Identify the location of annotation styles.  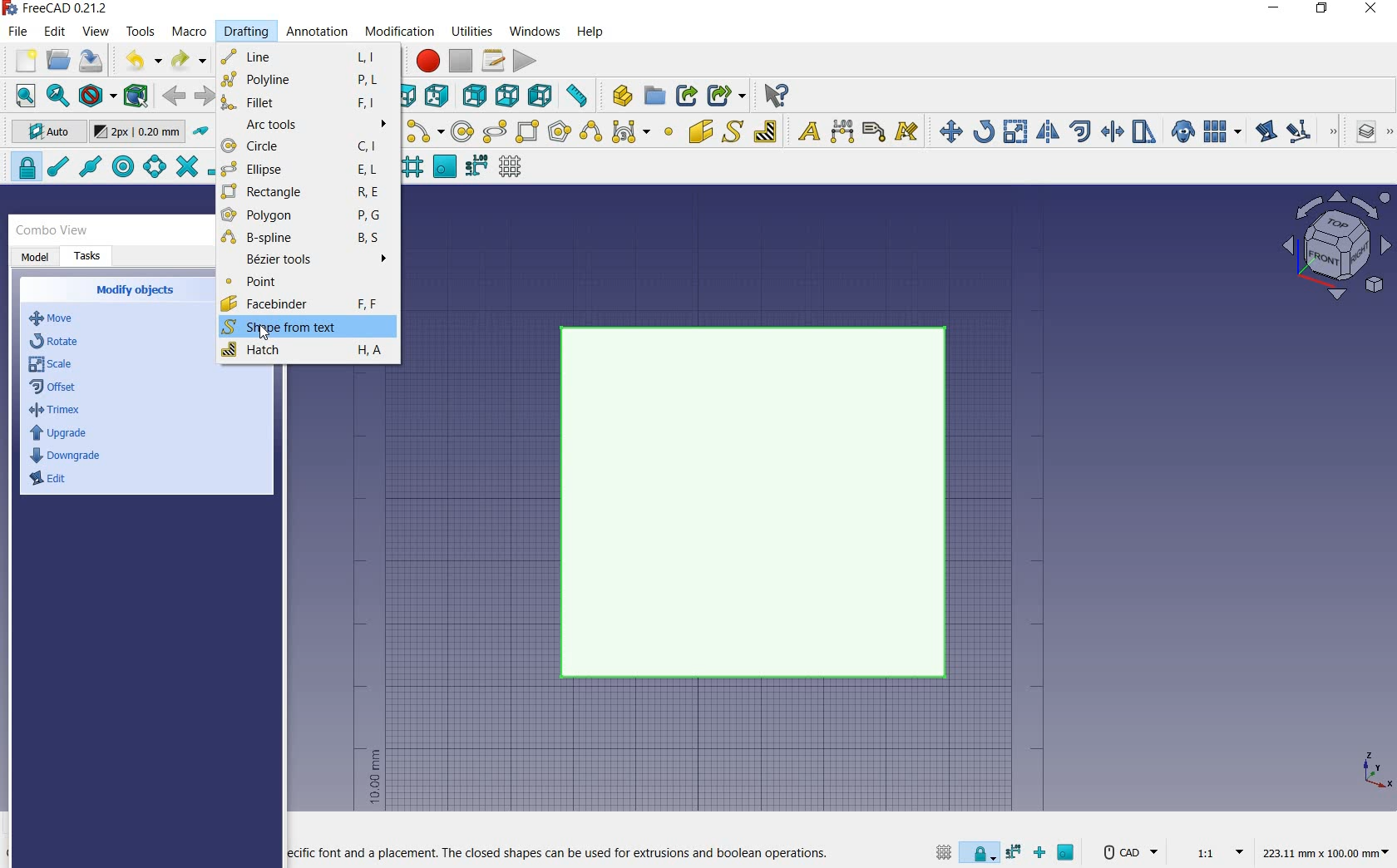
(908, 134).